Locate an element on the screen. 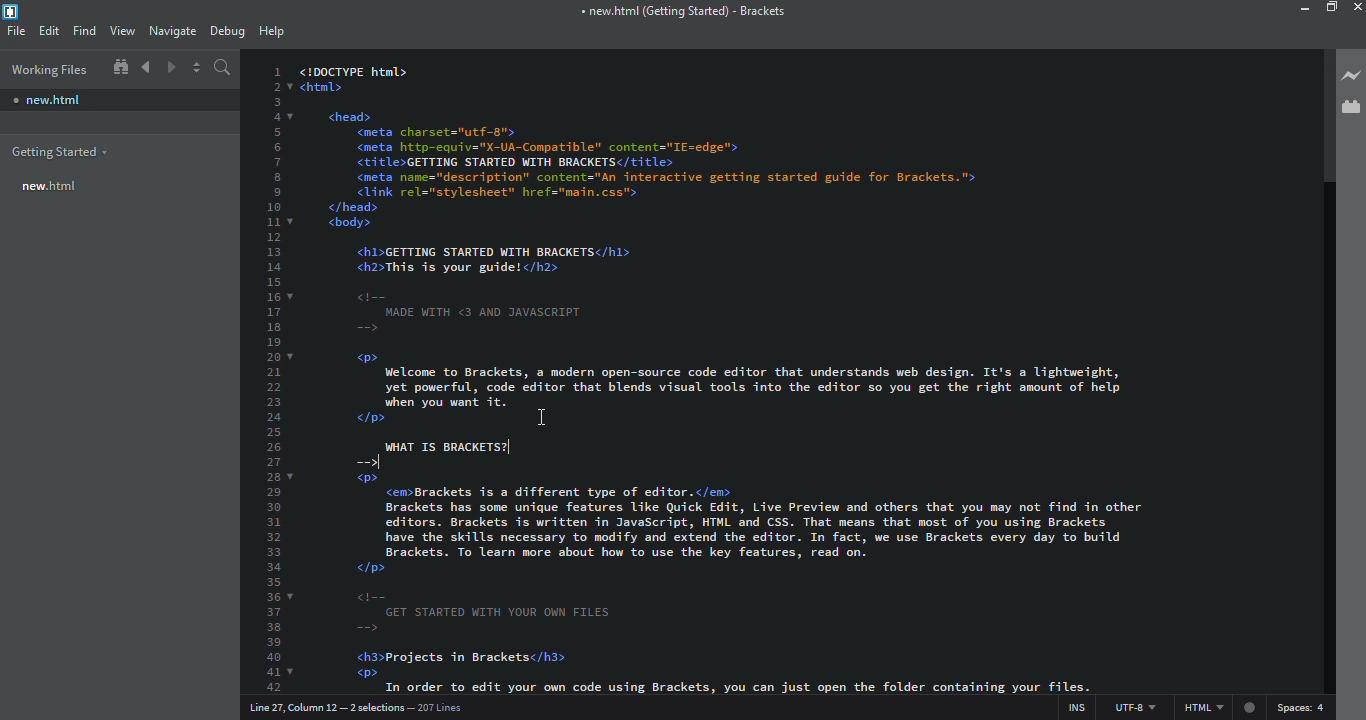  debug is located at coordinates (229, 32).